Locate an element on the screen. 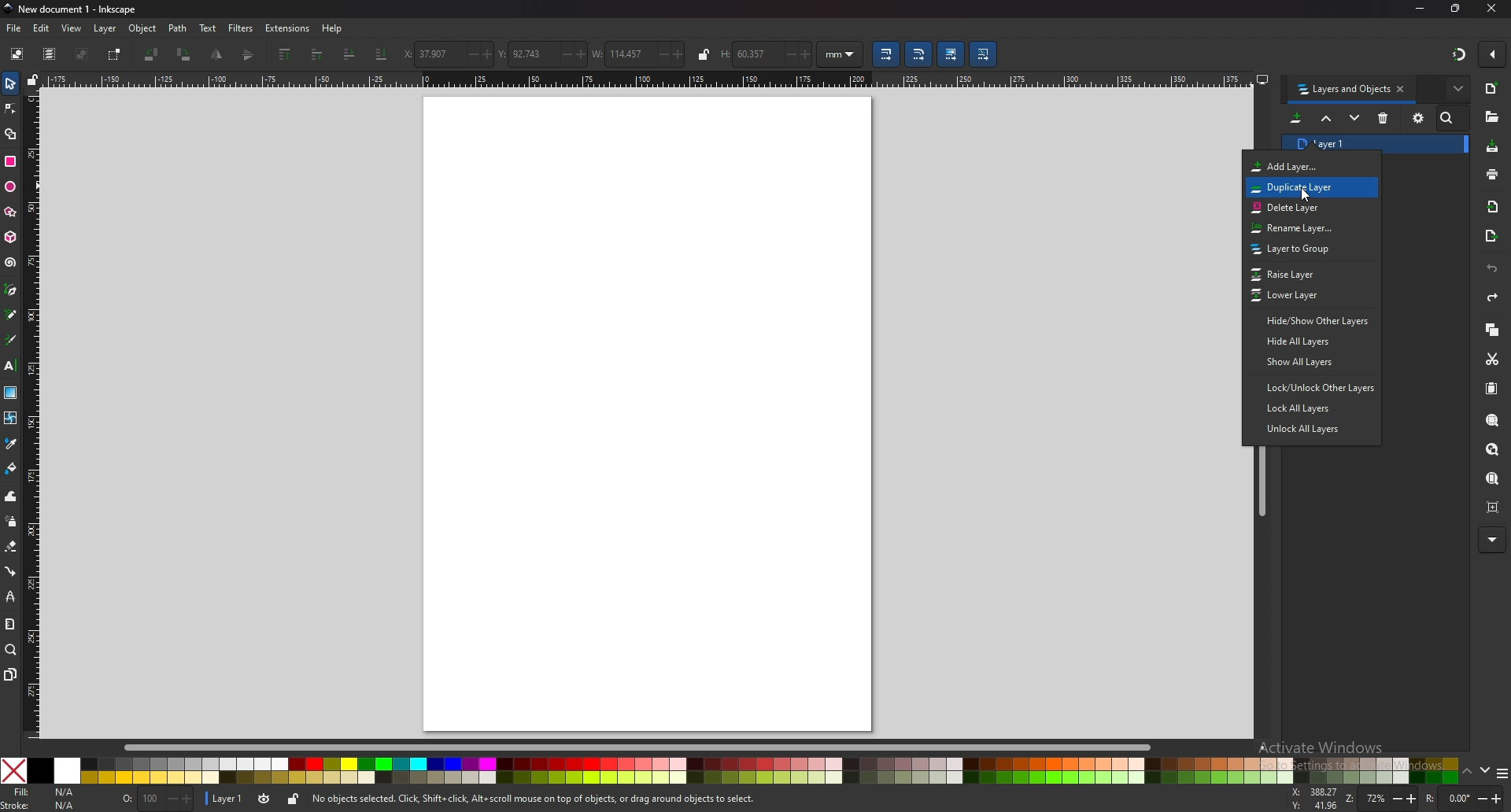 The height and width of the screenshot is (812, 1511). deselect is located at coordinates (81, 54).